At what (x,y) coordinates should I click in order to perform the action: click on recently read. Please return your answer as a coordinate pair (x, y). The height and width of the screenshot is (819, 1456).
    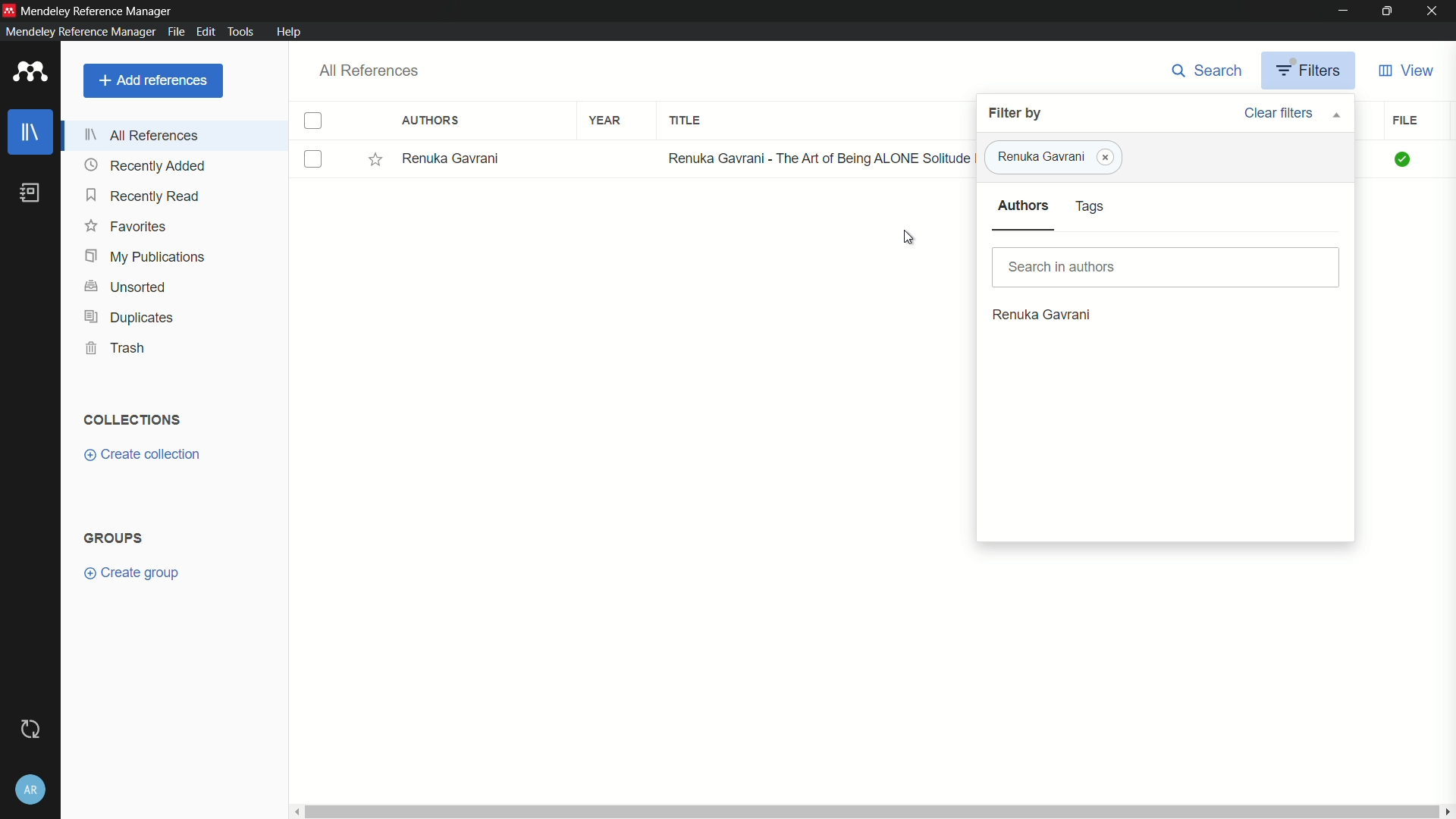
    Looking at the image, I should click on (143, 196).